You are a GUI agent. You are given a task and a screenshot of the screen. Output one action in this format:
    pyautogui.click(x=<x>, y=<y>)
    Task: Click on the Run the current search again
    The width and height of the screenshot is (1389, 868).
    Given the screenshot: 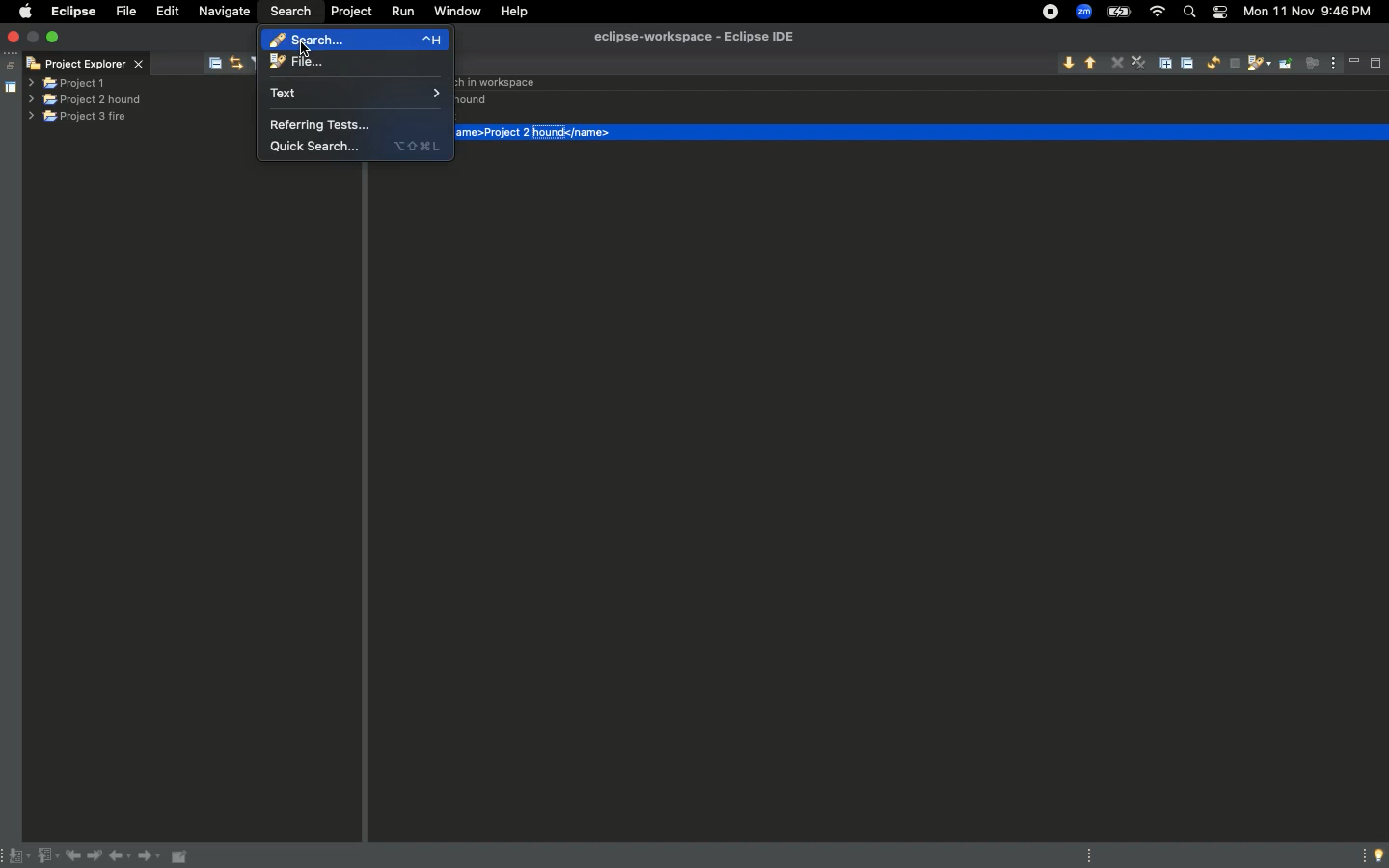 What is the action you would take?
    pyautogui.click(x=1212, y=64)
    